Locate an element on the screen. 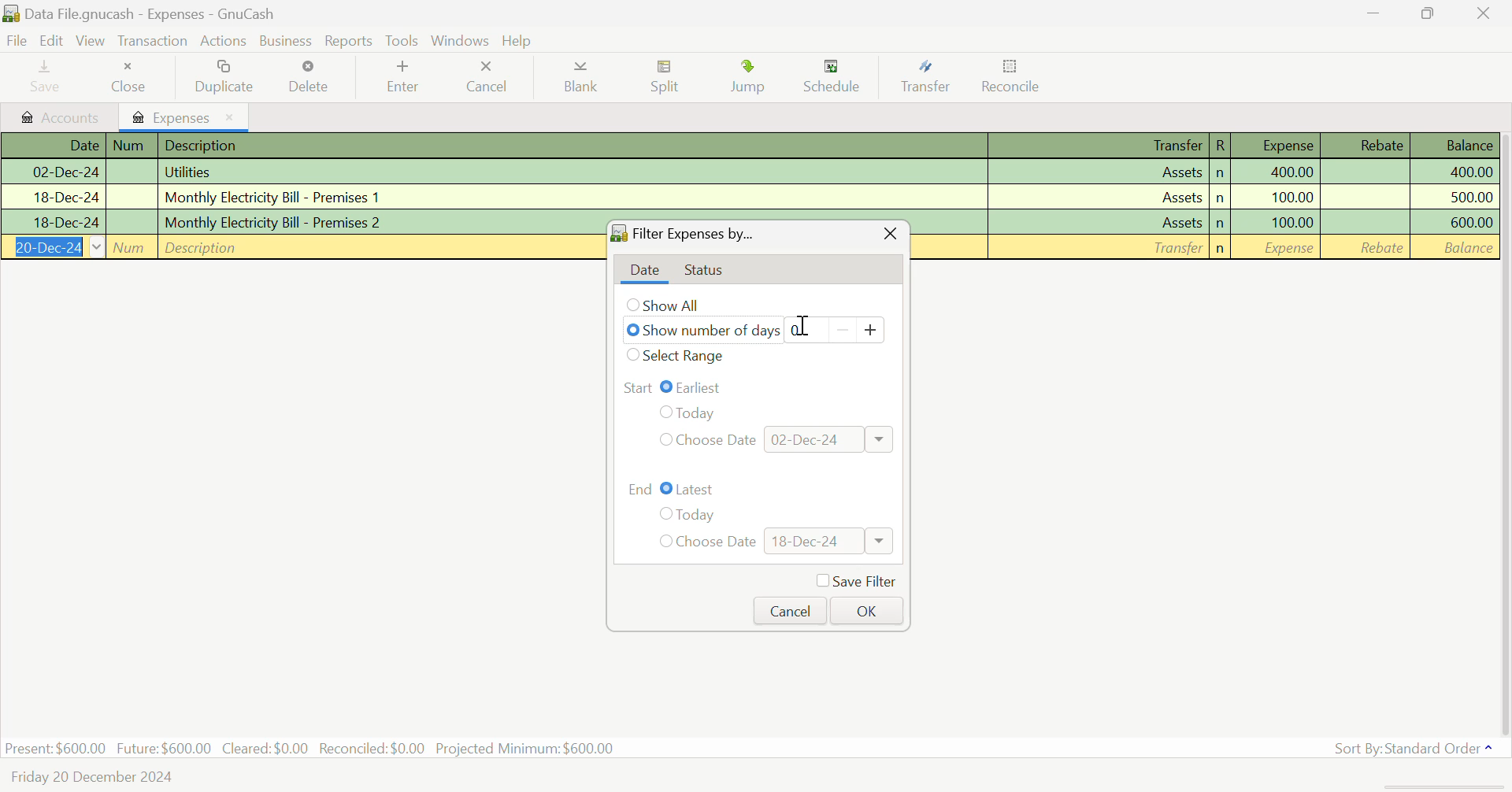  Minimize is located at coordinates (1431, 15).